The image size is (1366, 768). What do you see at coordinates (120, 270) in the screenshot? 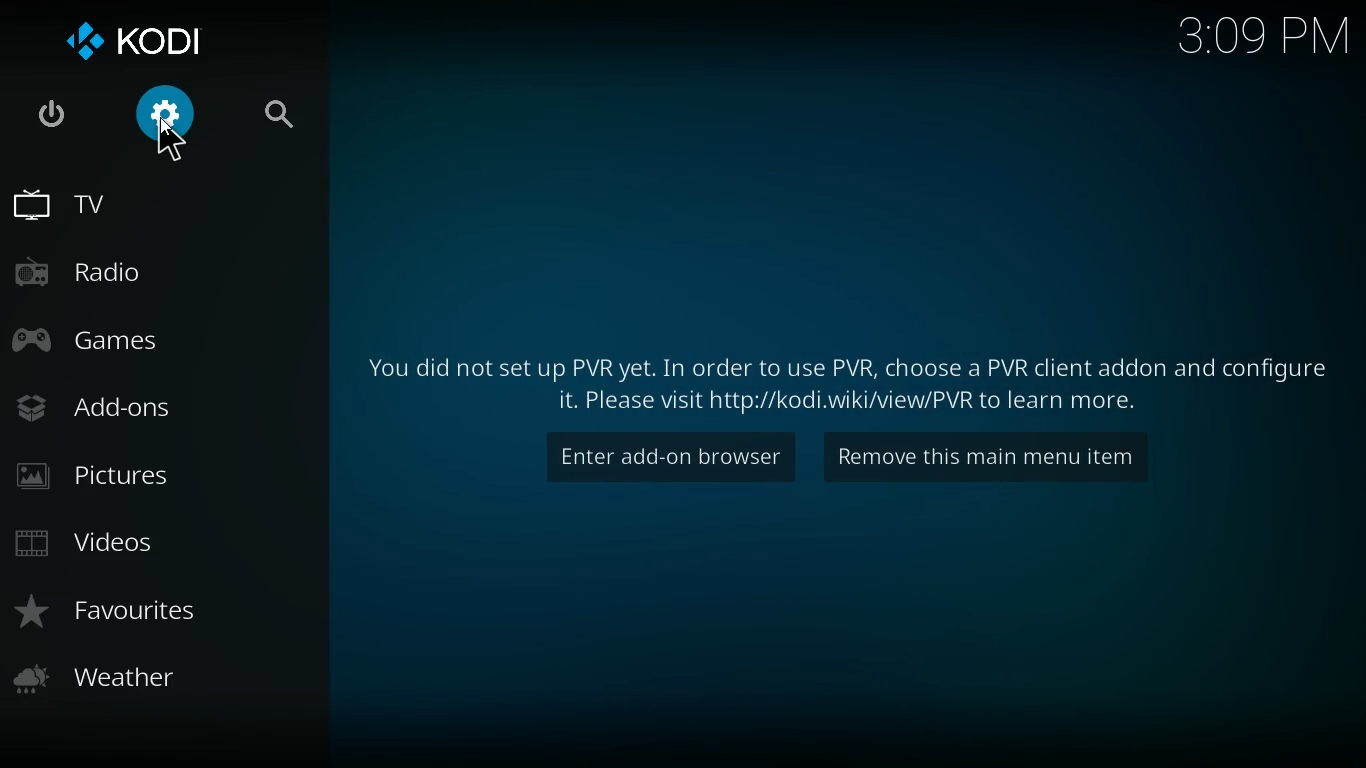
I see `radio` at bounding box center [120, 270].